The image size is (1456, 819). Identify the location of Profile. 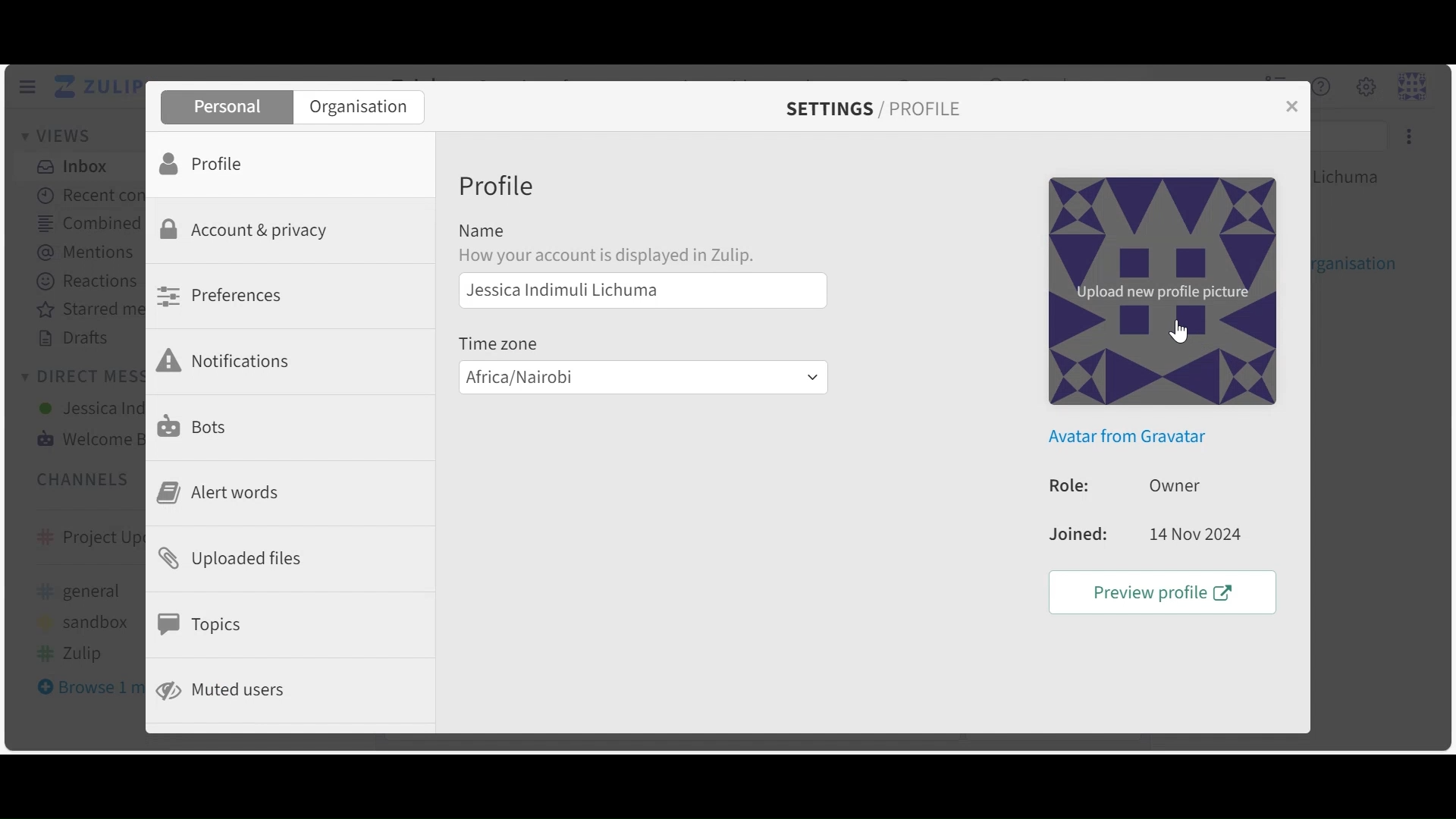
(204, 165).